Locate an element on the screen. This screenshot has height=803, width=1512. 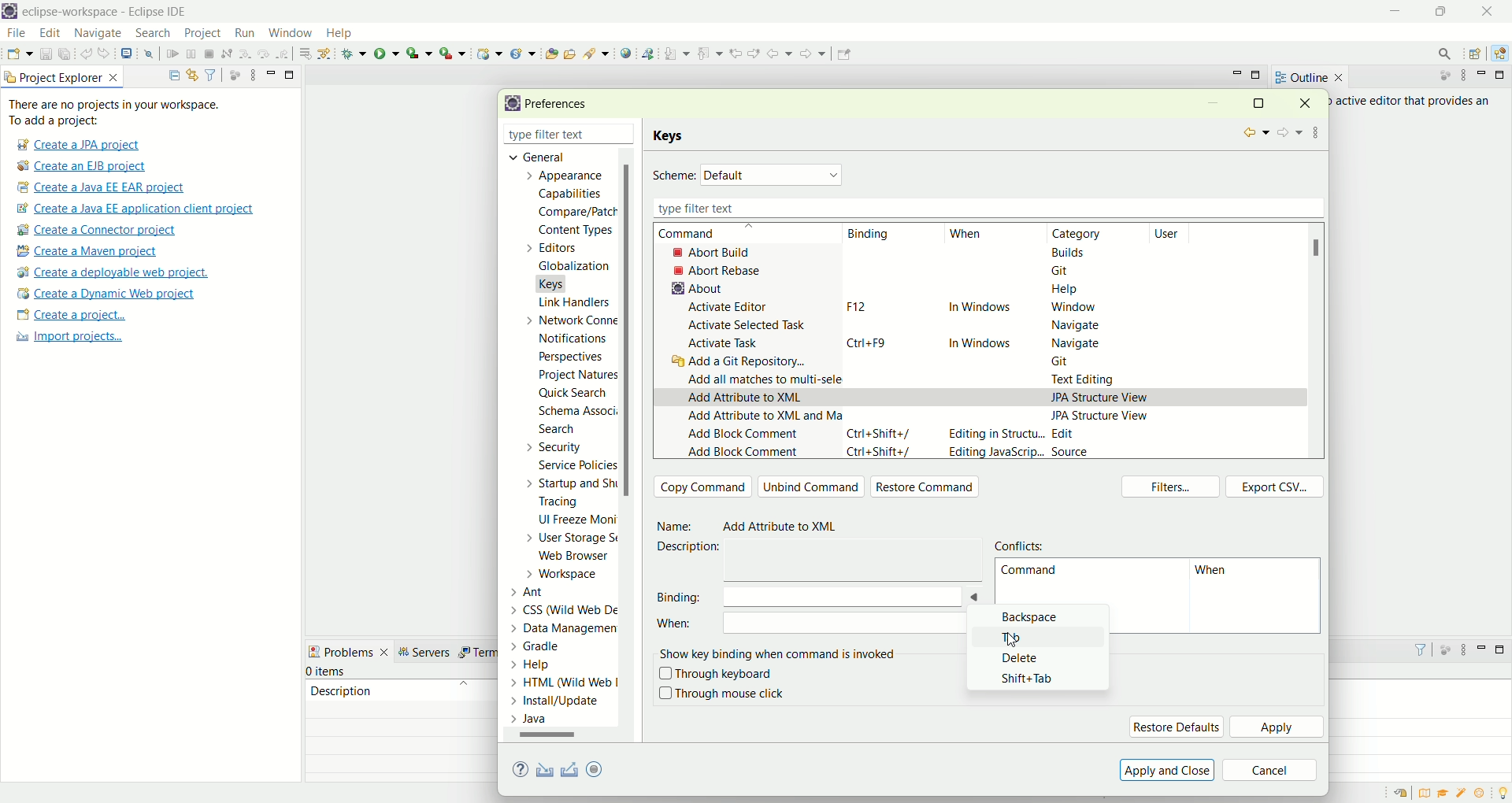
Cursor is located at coordinates (1006, 641).